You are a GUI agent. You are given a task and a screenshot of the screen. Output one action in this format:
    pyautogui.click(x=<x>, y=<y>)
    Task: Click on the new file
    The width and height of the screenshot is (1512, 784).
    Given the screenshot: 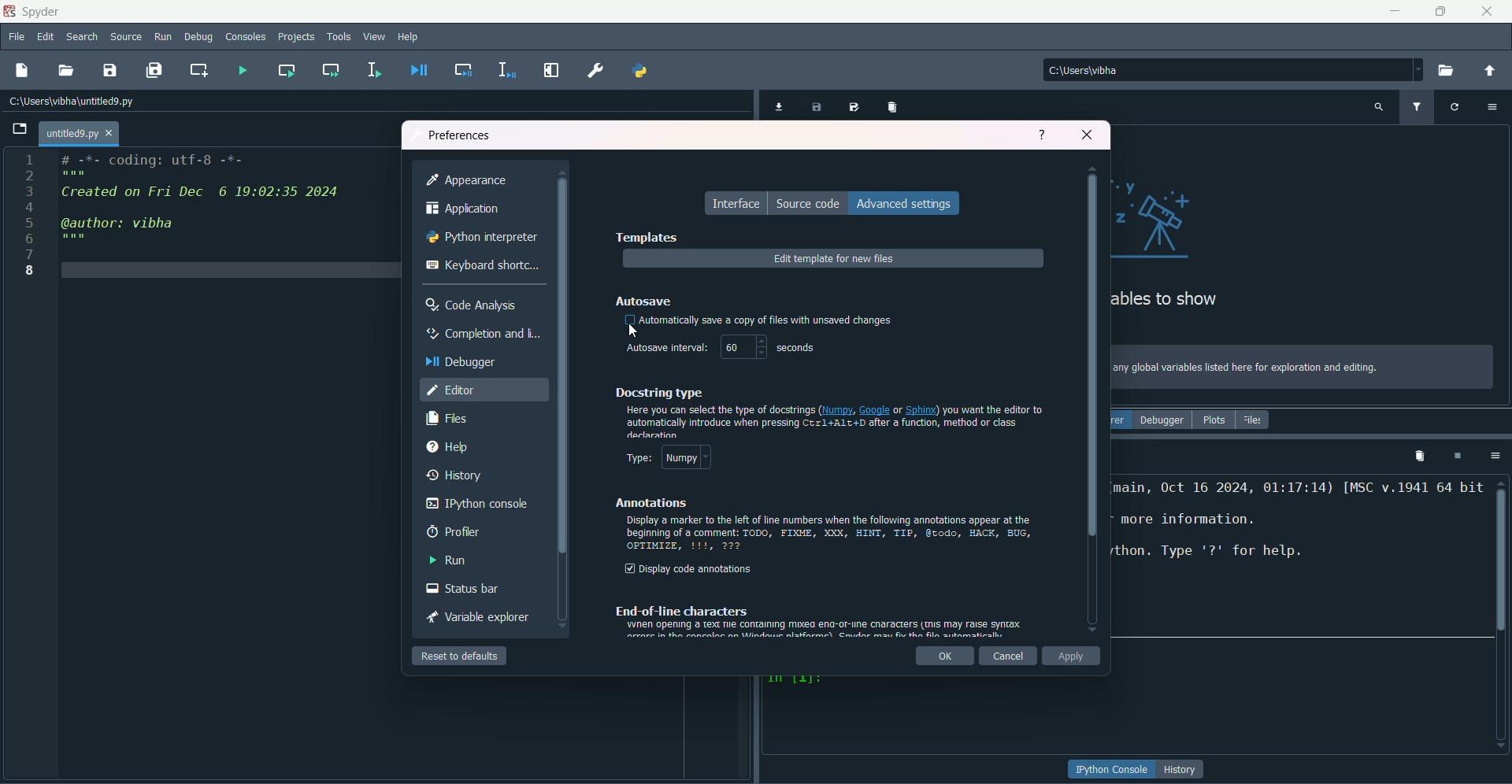 What is the action you would take?
    pyautogui.click(x=21, y=70)
    